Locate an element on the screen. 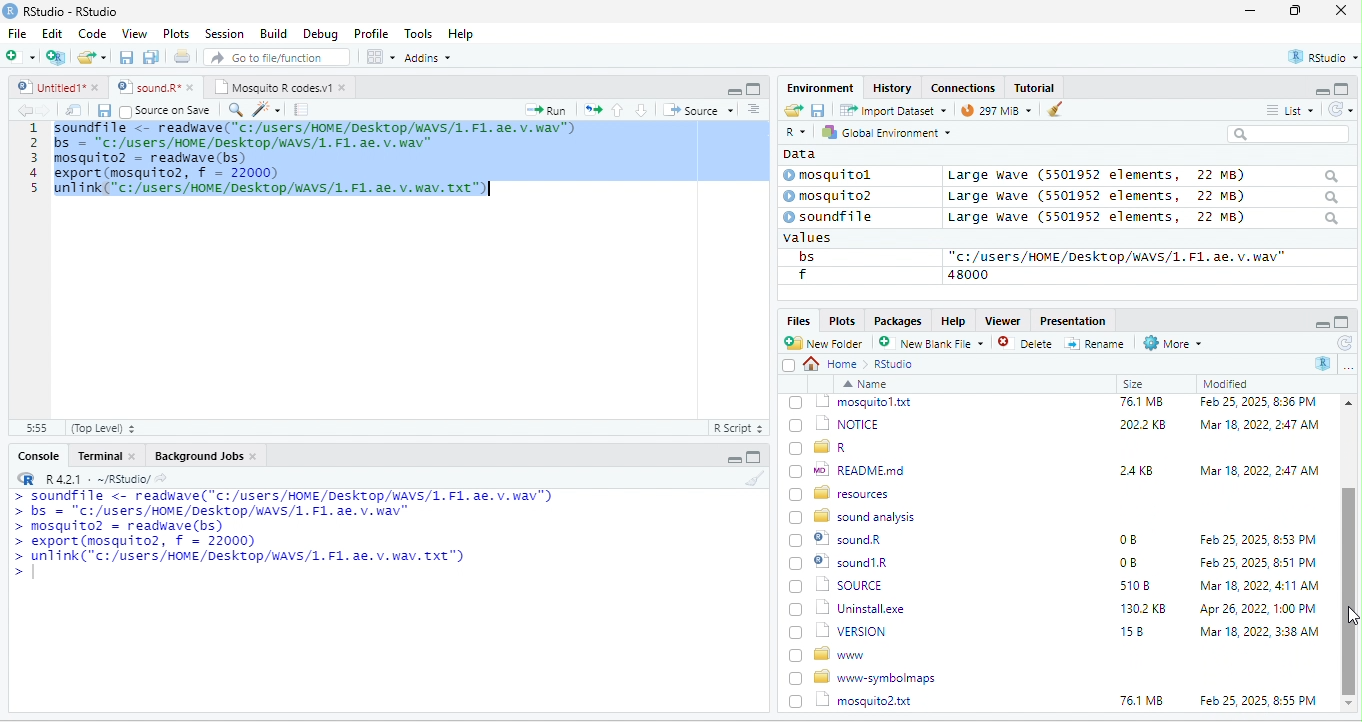 The image size is (1362, 722). values is located at coordinates (818, 238).